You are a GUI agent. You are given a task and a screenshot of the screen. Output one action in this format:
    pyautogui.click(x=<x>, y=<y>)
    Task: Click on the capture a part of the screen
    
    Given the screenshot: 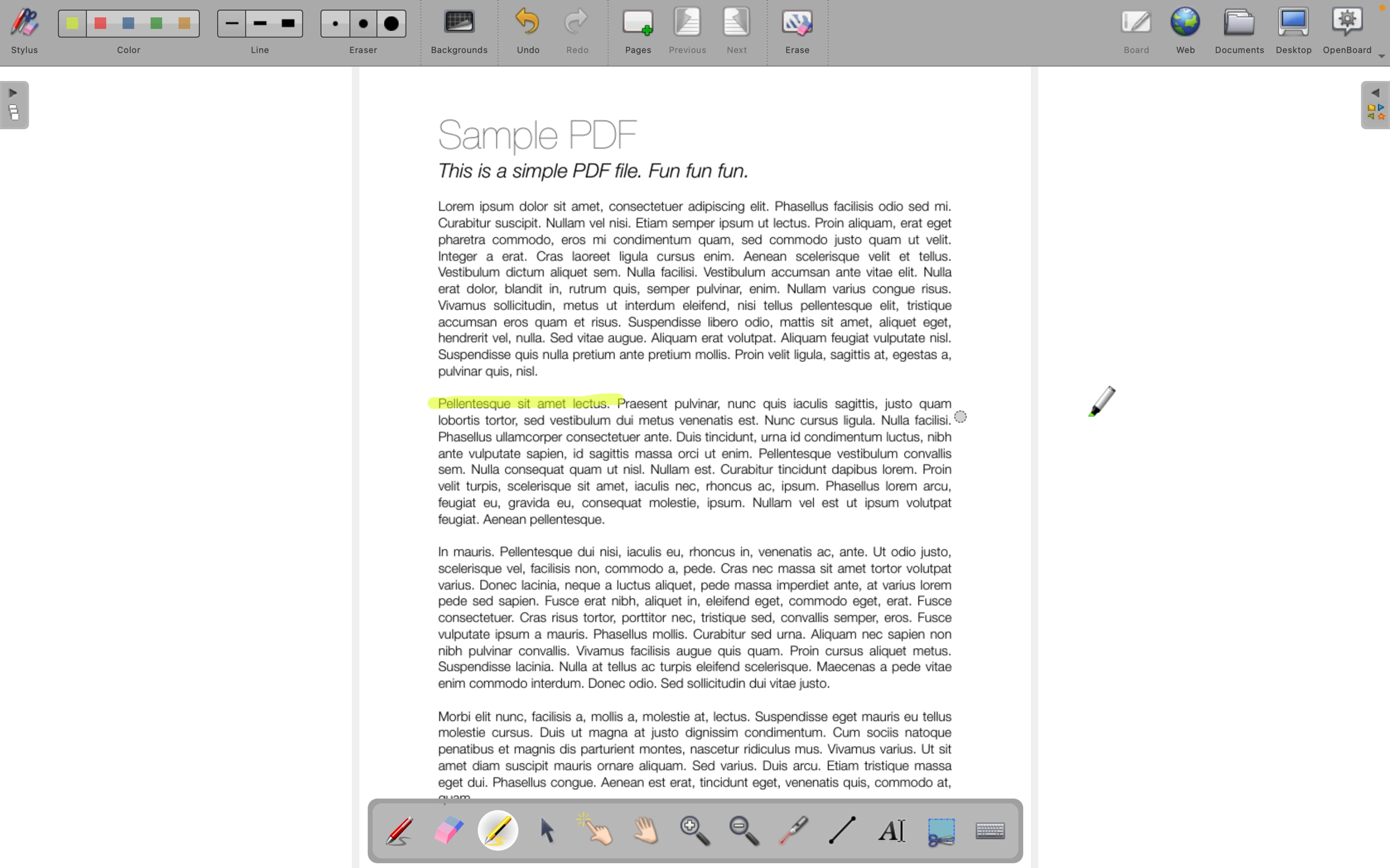 What is the action you would take?
    pyautogui.click(x=942, y=831)
    